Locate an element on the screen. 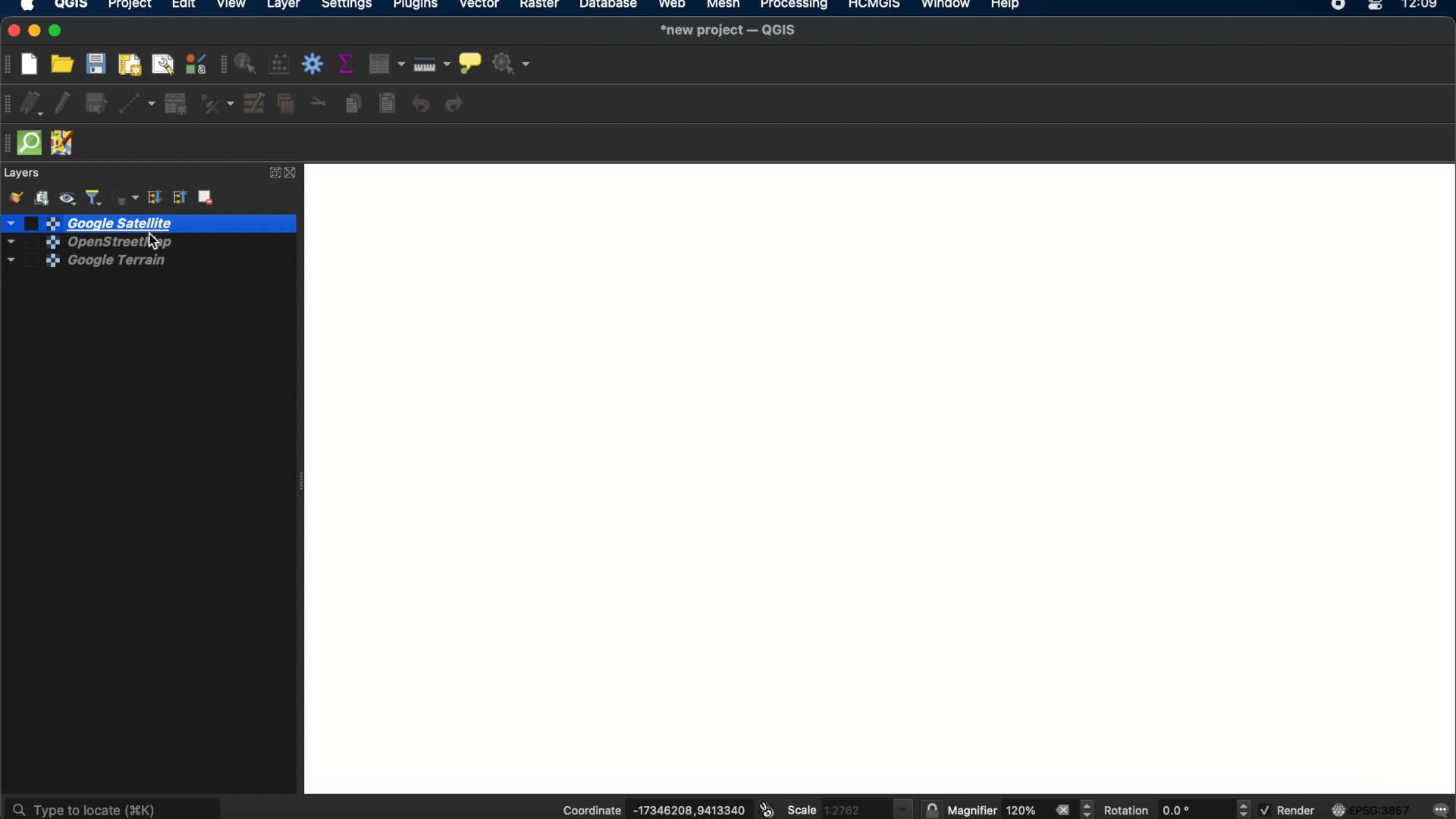 The height and width of the screenshot is (819, 1456). no action selected is located at coordinates (511, 64).